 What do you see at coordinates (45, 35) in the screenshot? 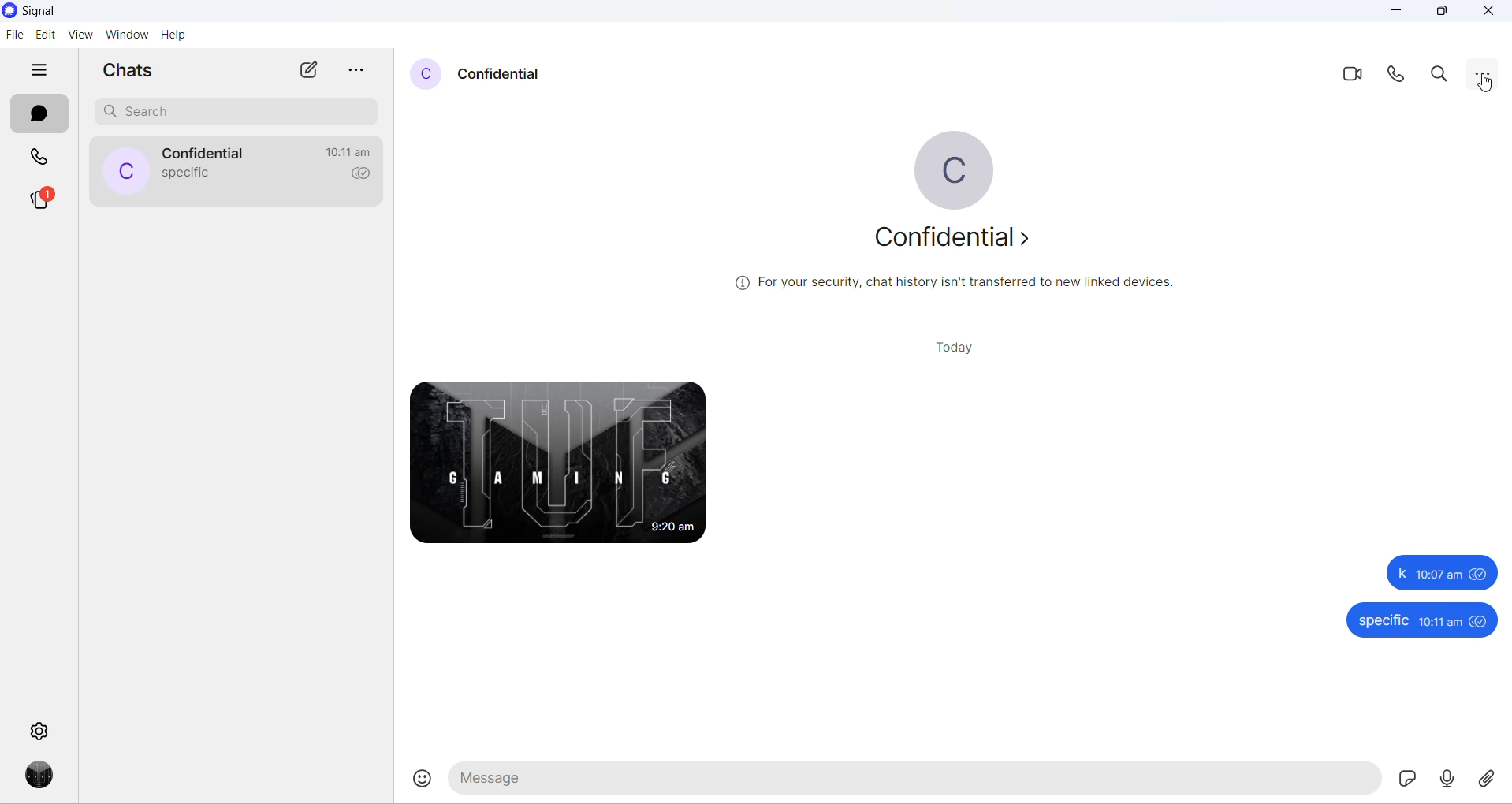
I see `edit` at bounding box center [45, 35].